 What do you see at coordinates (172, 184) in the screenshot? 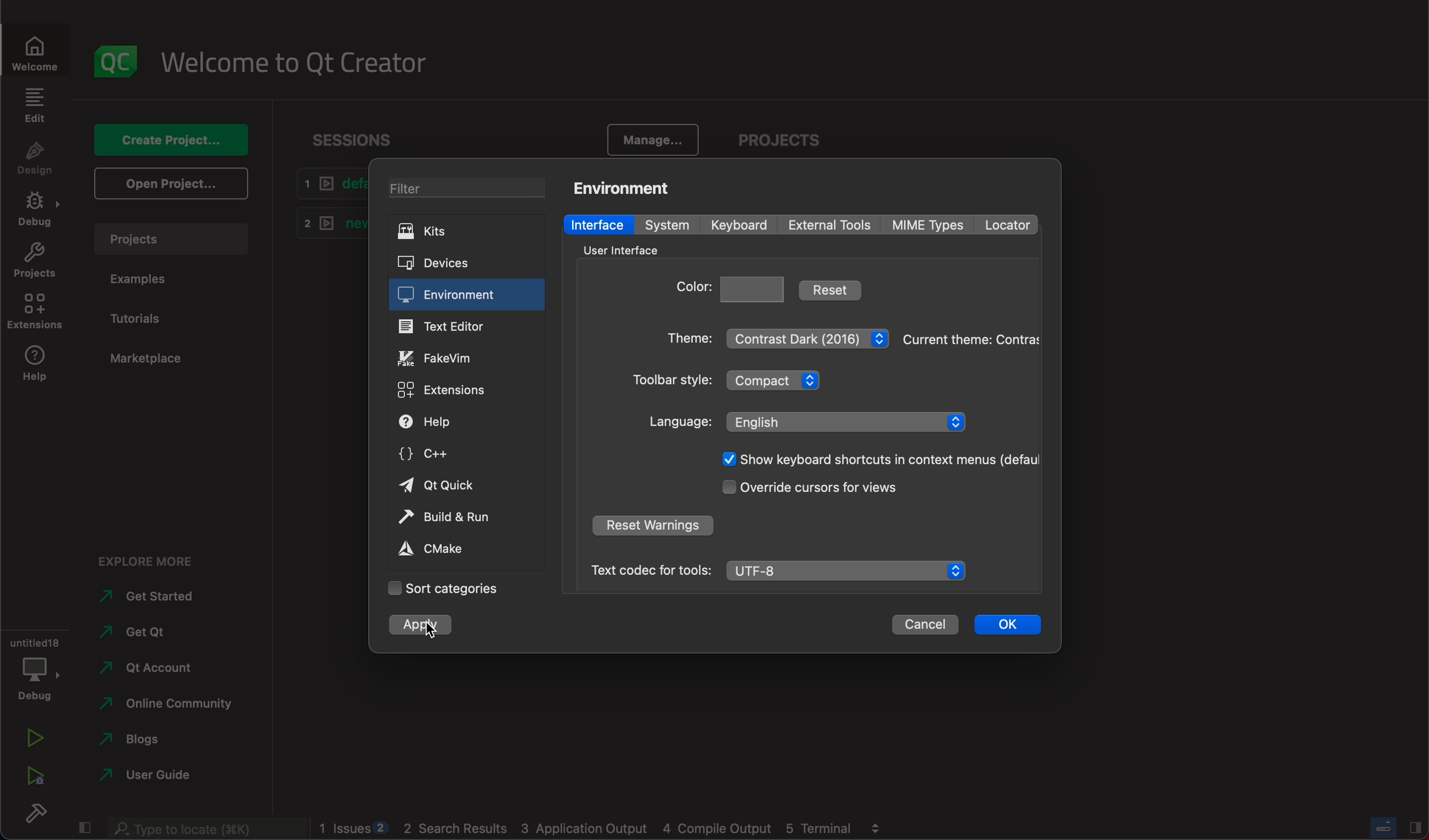
I see `open` at bounding box center [172, 184].